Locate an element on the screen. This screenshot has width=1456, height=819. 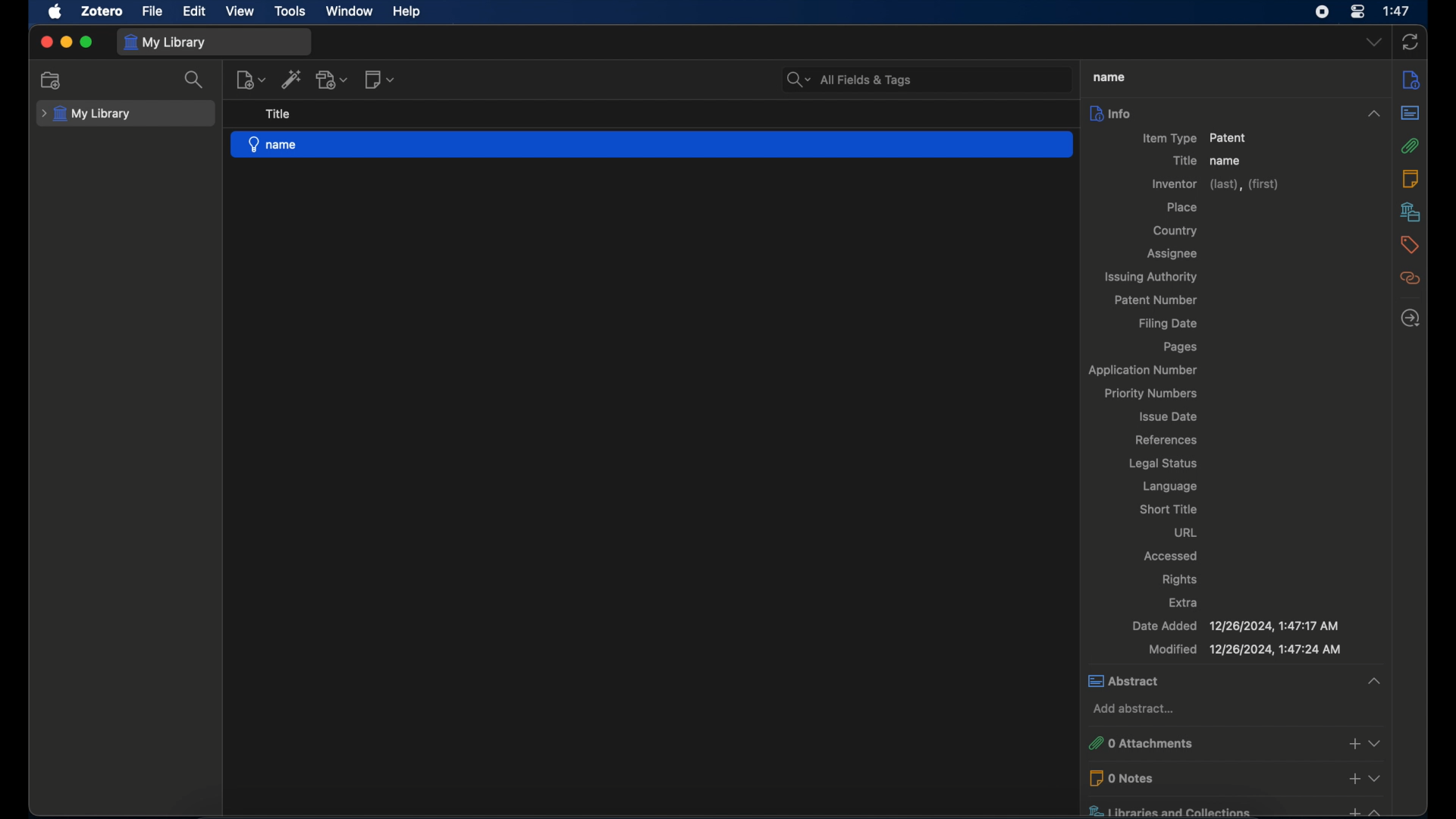
application number is located at coordinates (1141, 372).